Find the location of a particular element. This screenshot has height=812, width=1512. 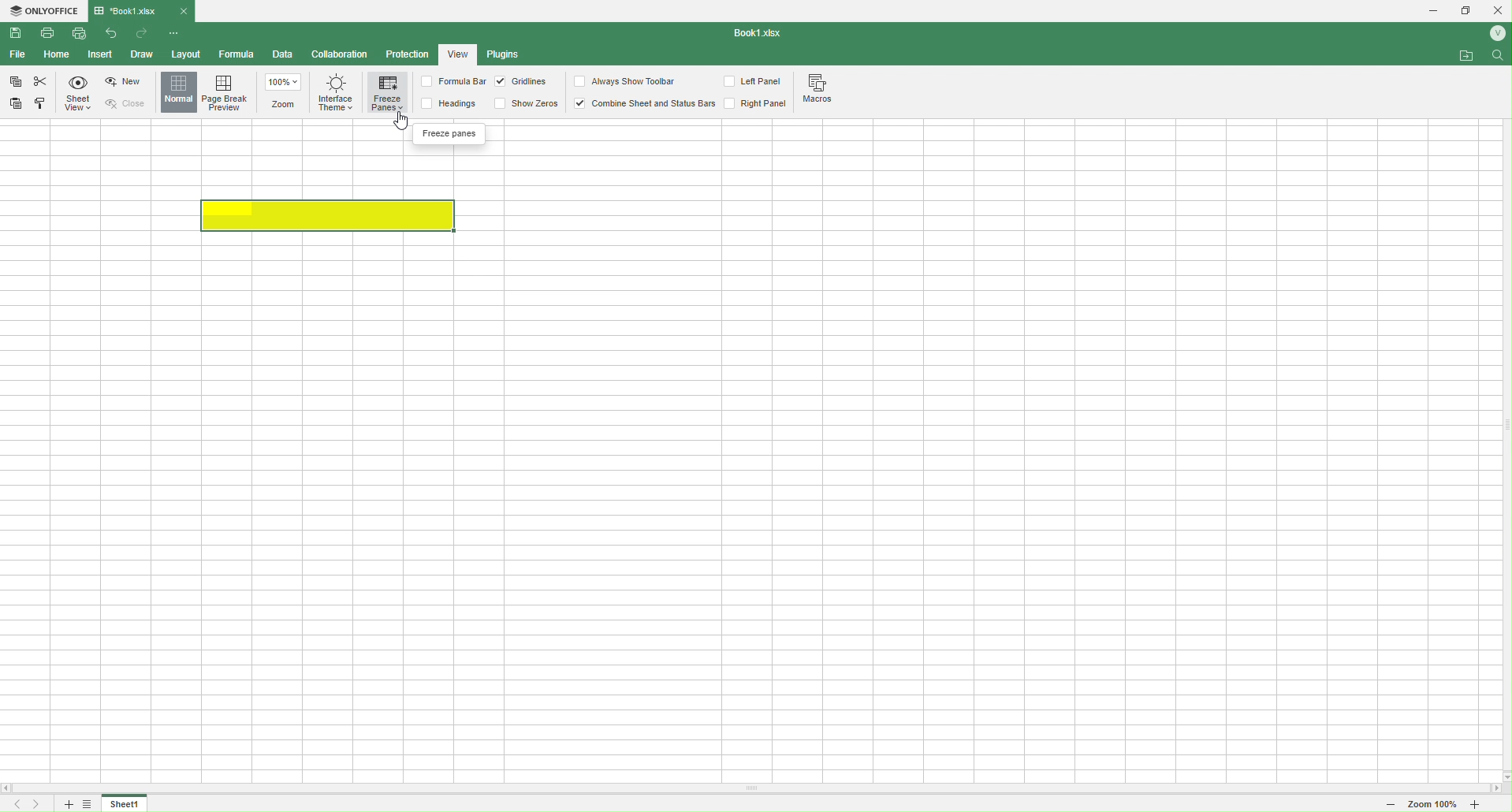

Close is located at coordinates (1498, 9).